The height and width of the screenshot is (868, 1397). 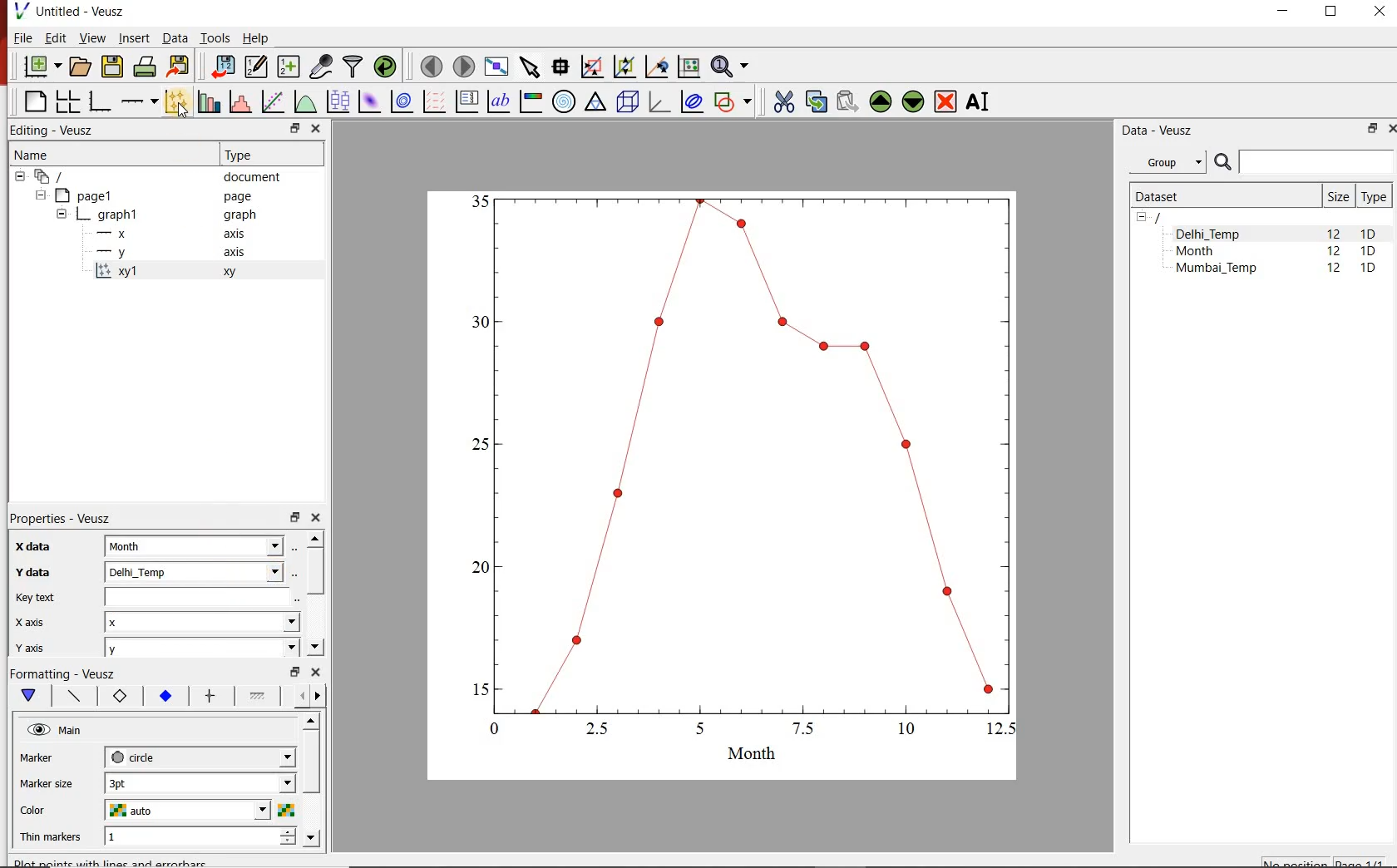 What do you see at coordinates (1377, 11) in the screenshot?
I see `CLOSE` at bounding box center [1377, 11].